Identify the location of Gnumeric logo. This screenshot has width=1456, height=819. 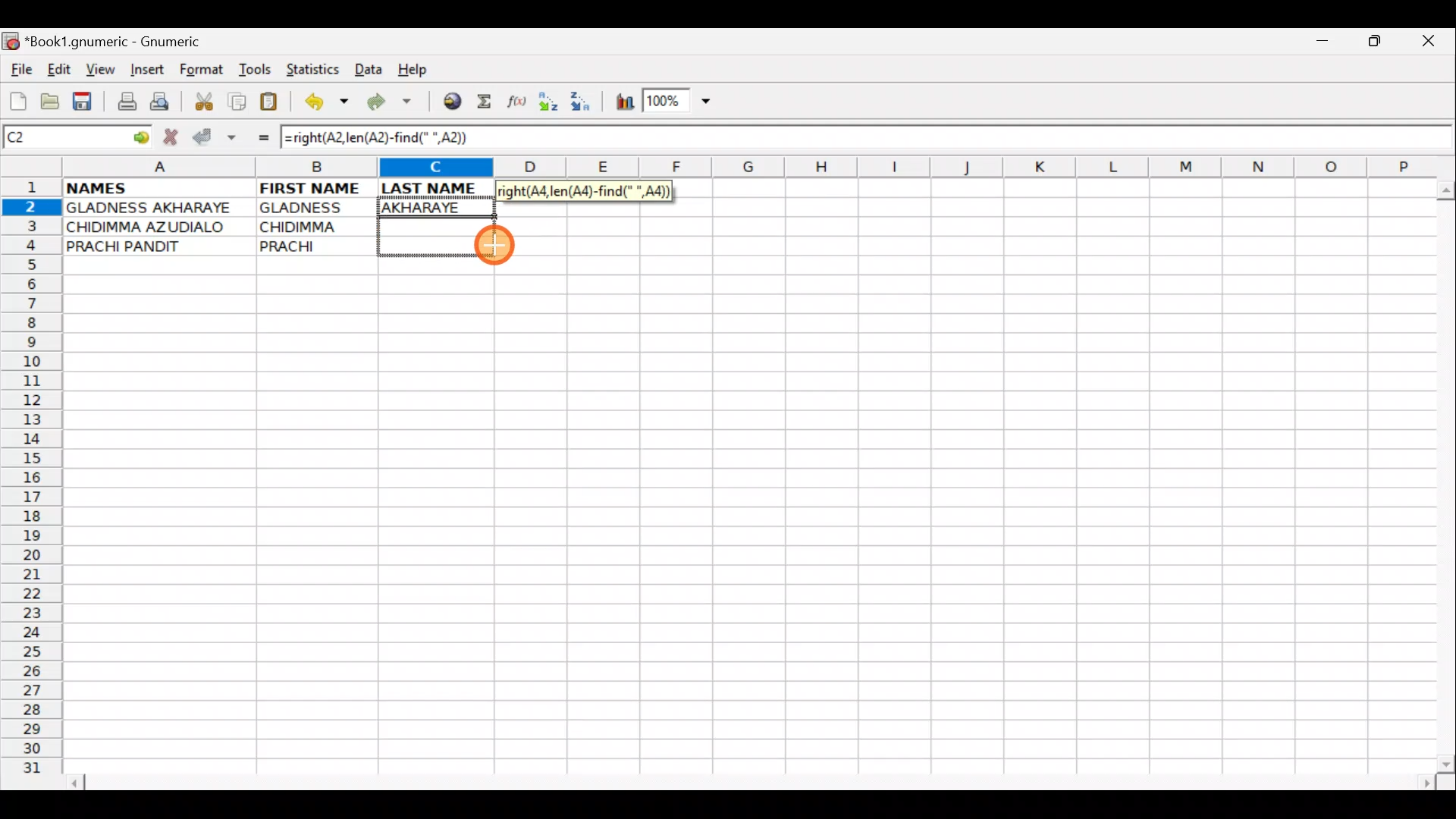
(11, 42).